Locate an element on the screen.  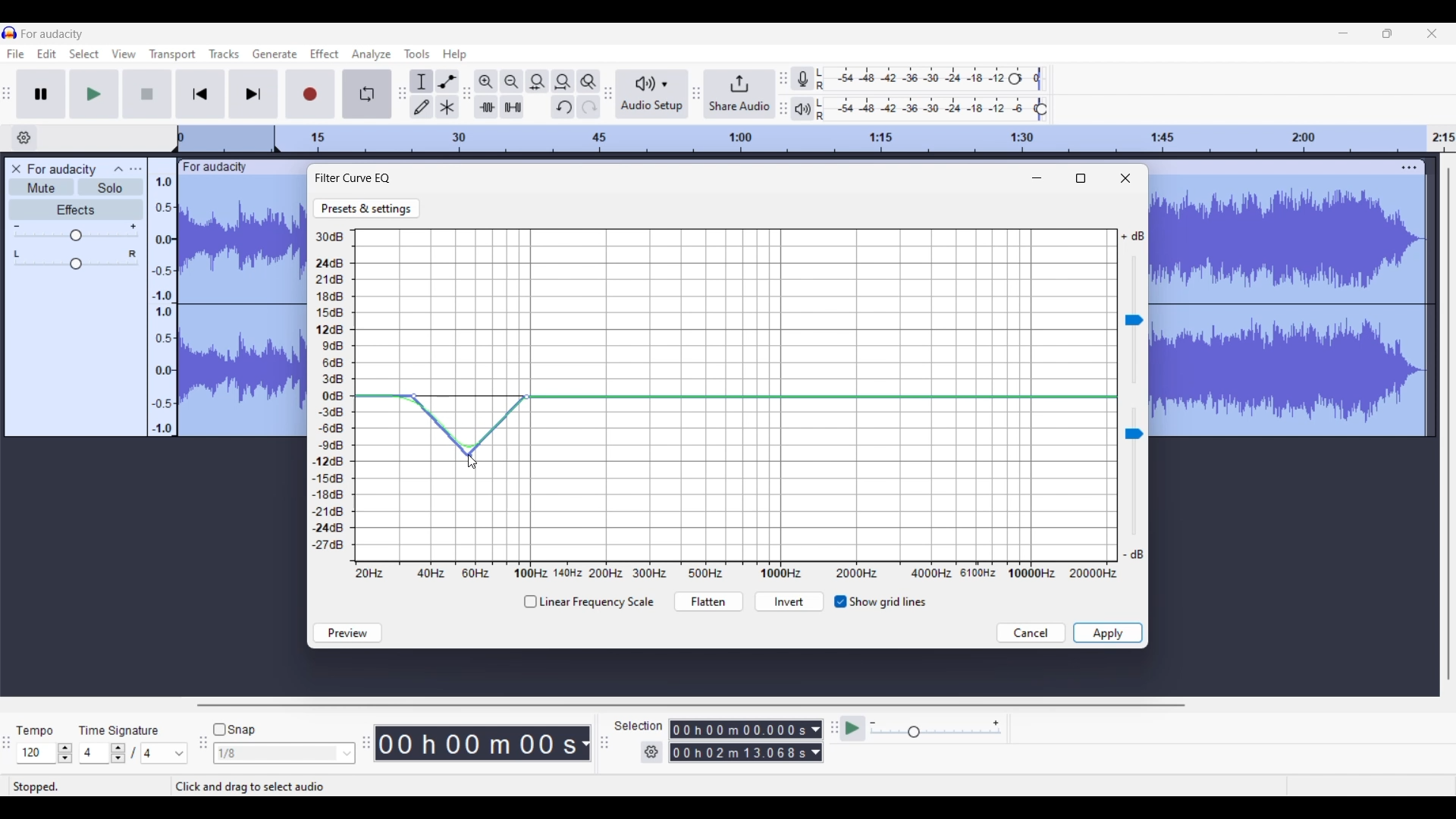
Pan left is located at coordinates (17, 254).